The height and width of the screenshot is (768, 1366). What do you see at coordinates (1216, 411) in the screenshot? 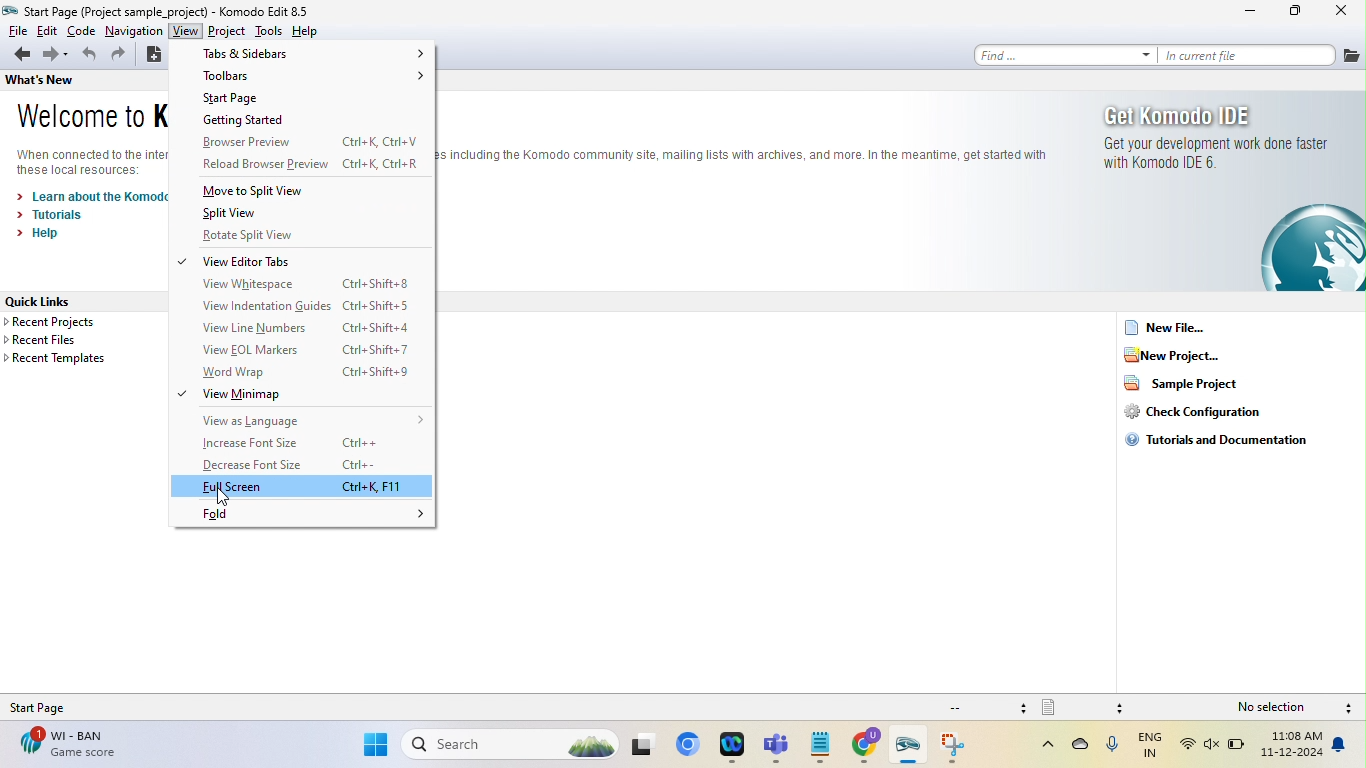
I see `check configuration` at bounding box center [1216, 411].